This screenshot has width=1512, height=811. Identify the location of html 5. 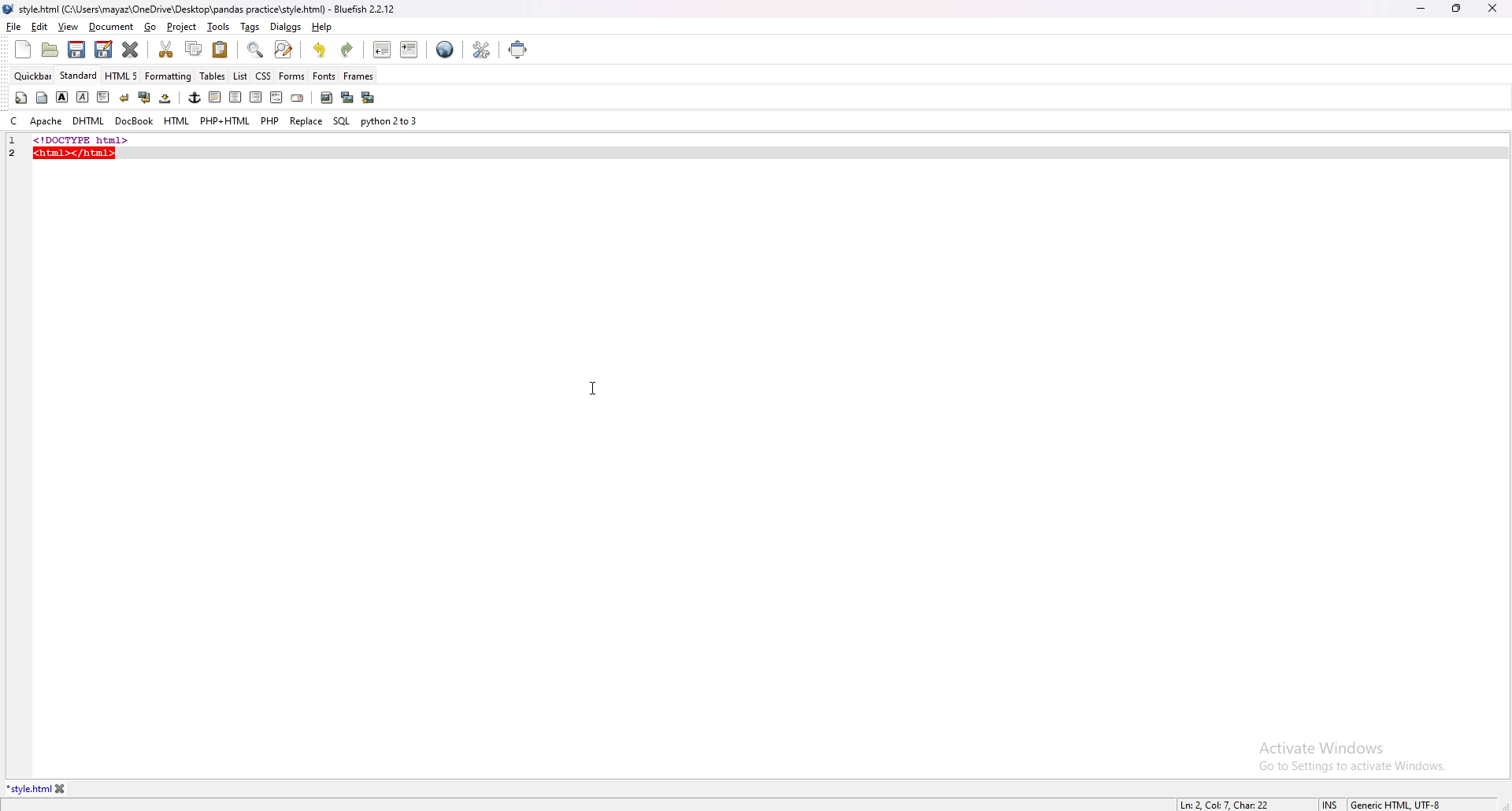
(123, 76).